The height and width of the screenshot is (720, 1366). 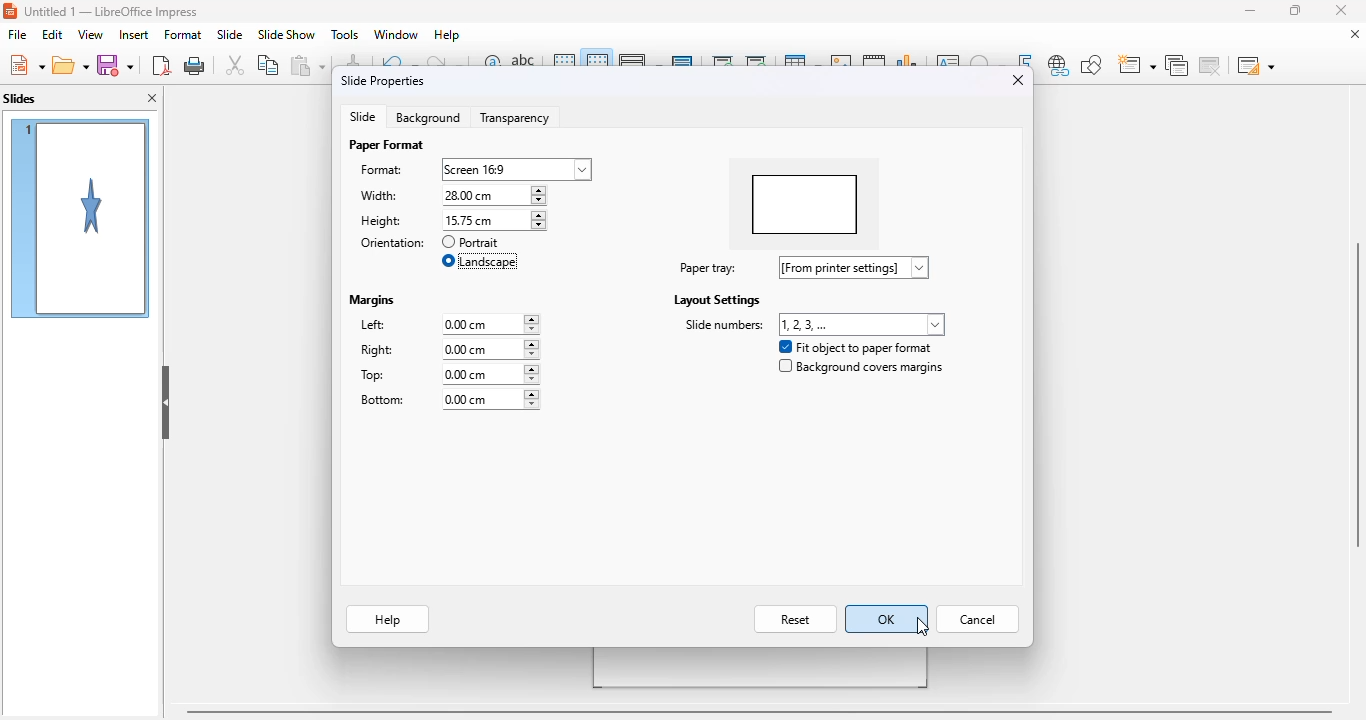 I want to click on preview changed, so click(x=805, y=205).